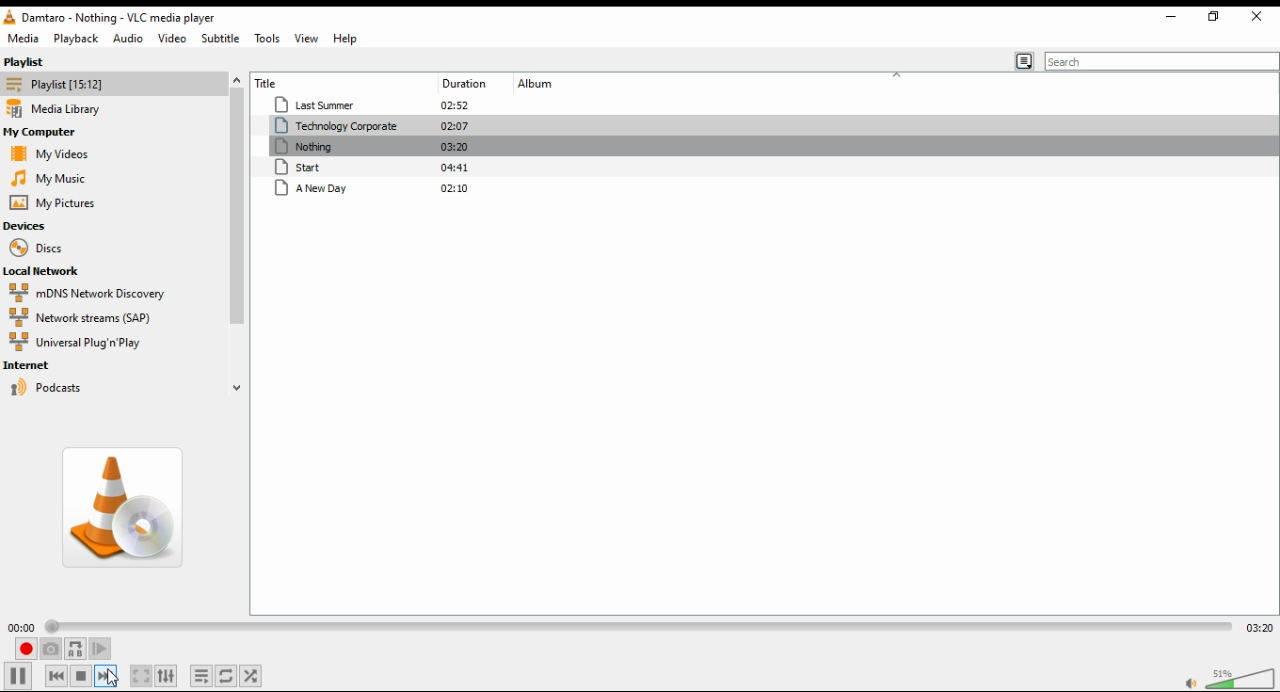 The width and height of the screenshot is (1280, 692). I want to click on playlist, so click(54, 86).